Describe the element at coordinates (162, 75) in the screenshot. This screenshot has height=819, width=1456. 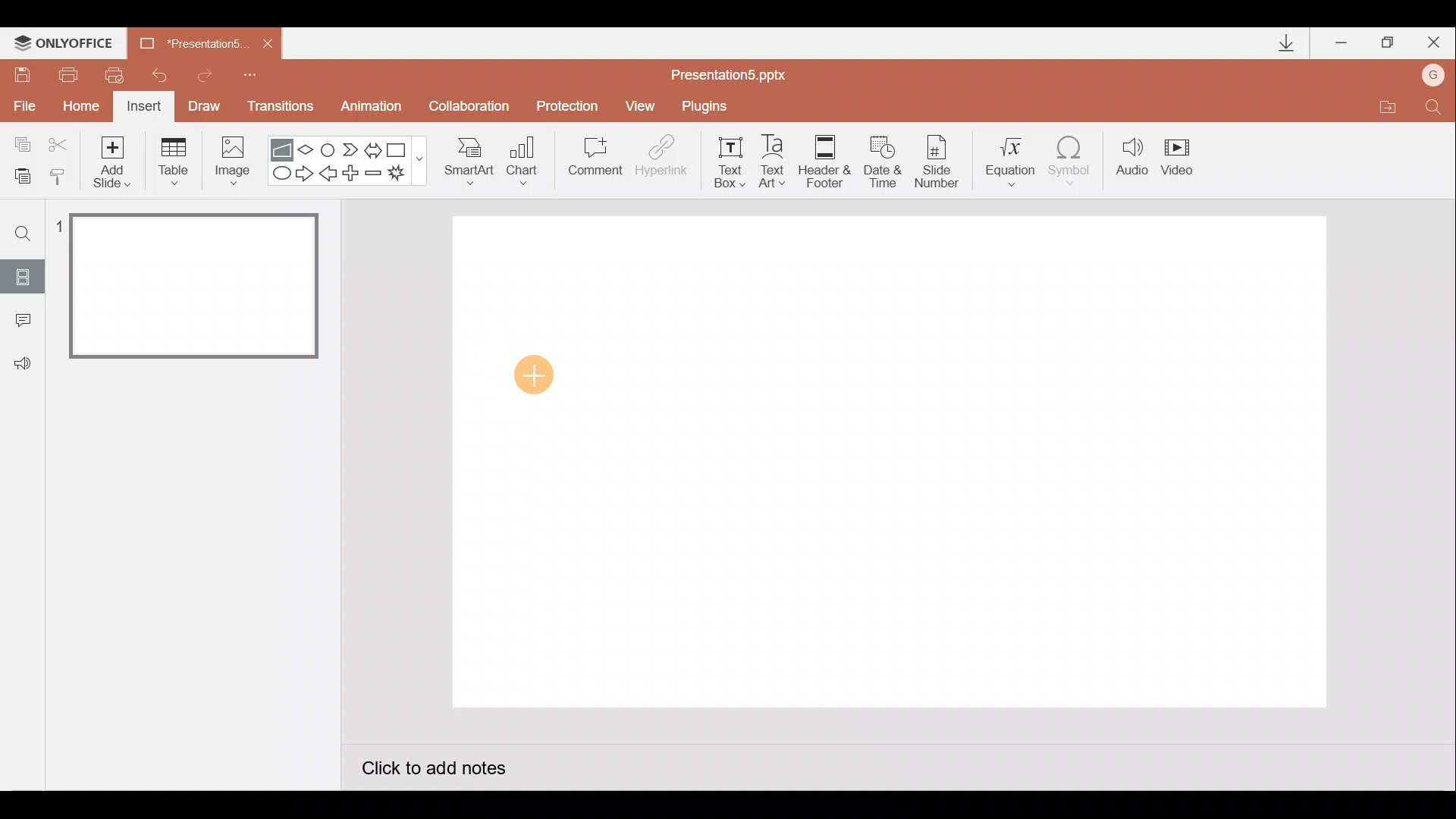
I see `Undo` at that location.